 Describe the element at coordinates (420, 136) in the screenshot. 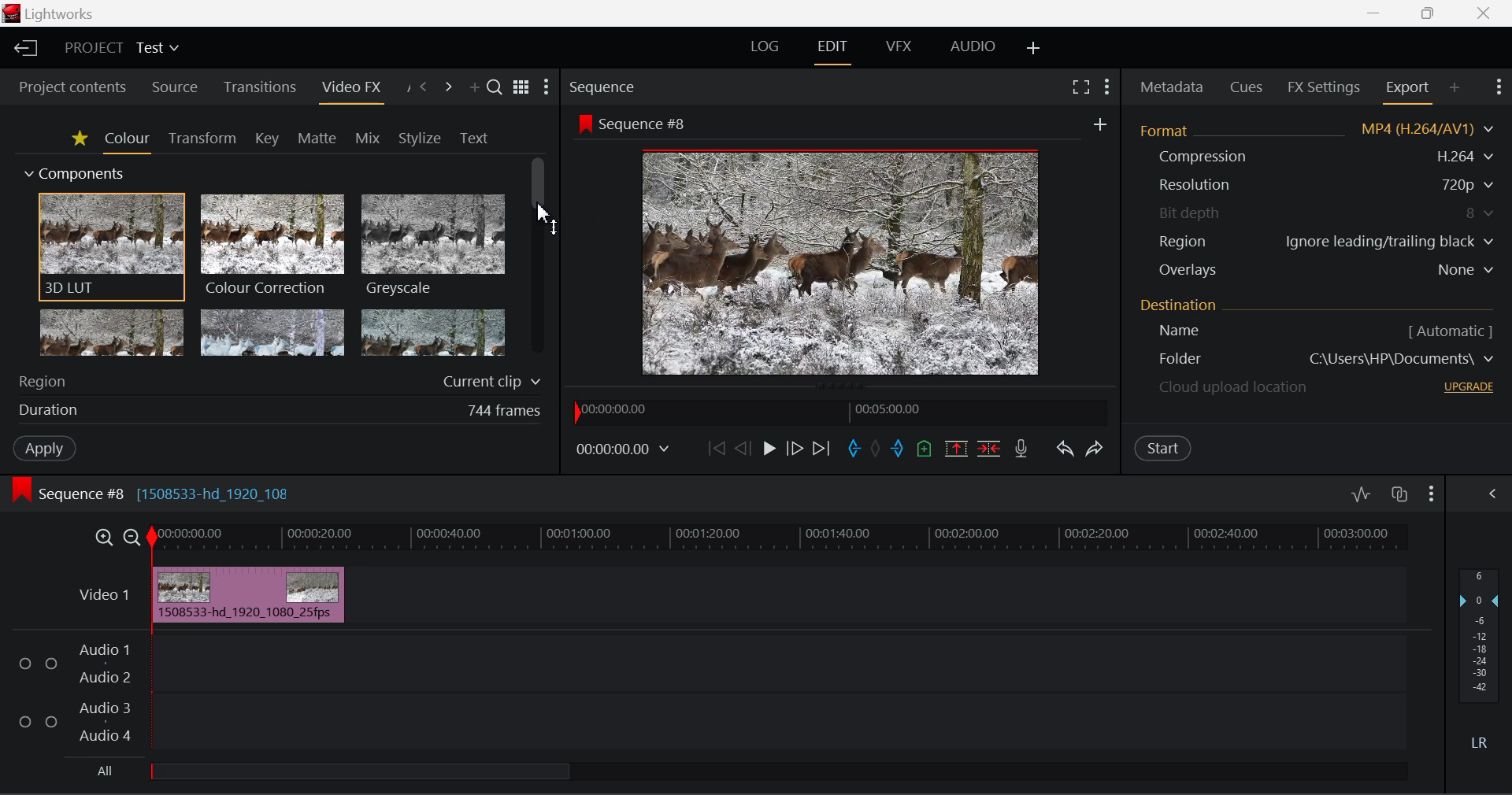

I see `Stylize` at that location.